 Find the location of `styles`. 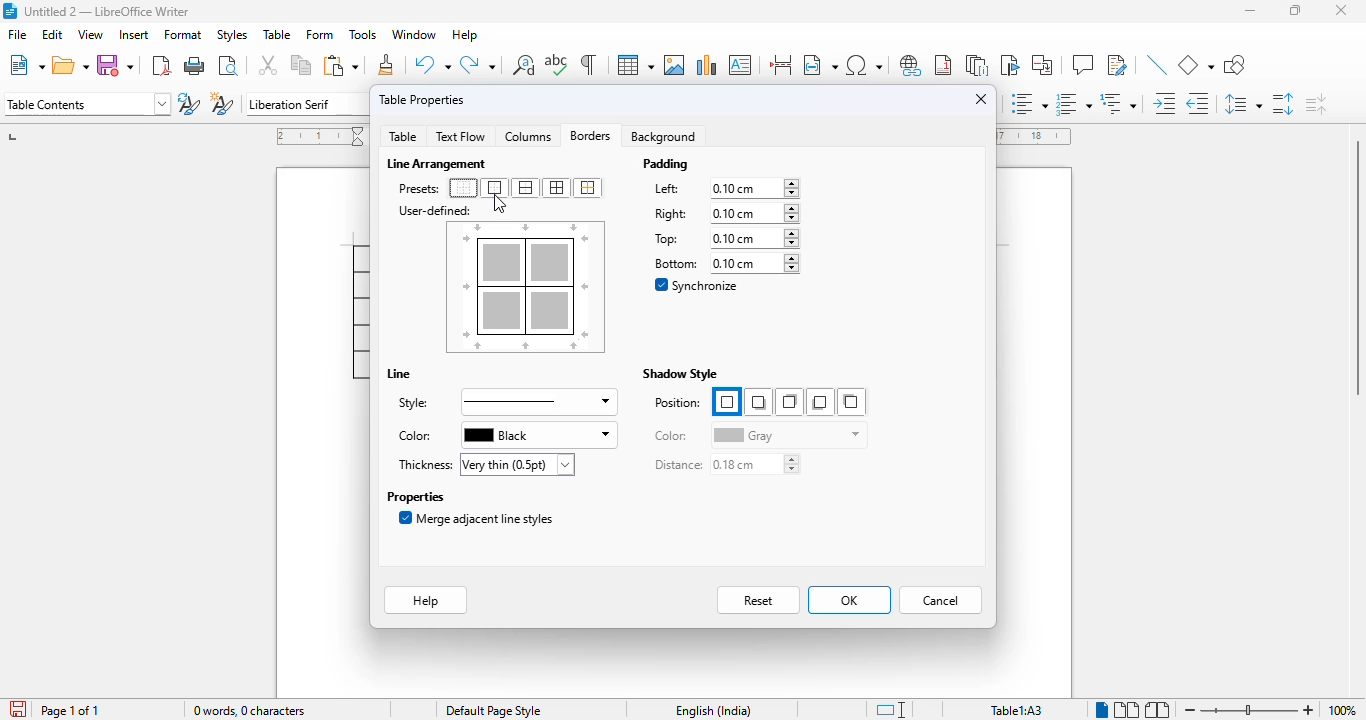

styles is located at coordinates (232, 35).